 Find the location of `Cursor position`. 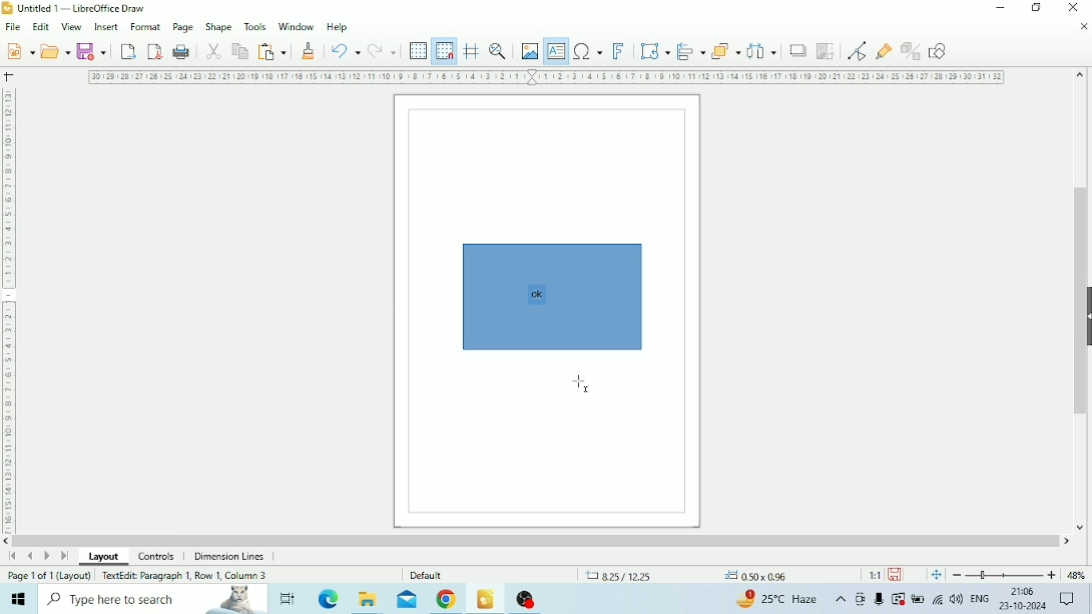

Cursor position is located at coordinates (688, 575).